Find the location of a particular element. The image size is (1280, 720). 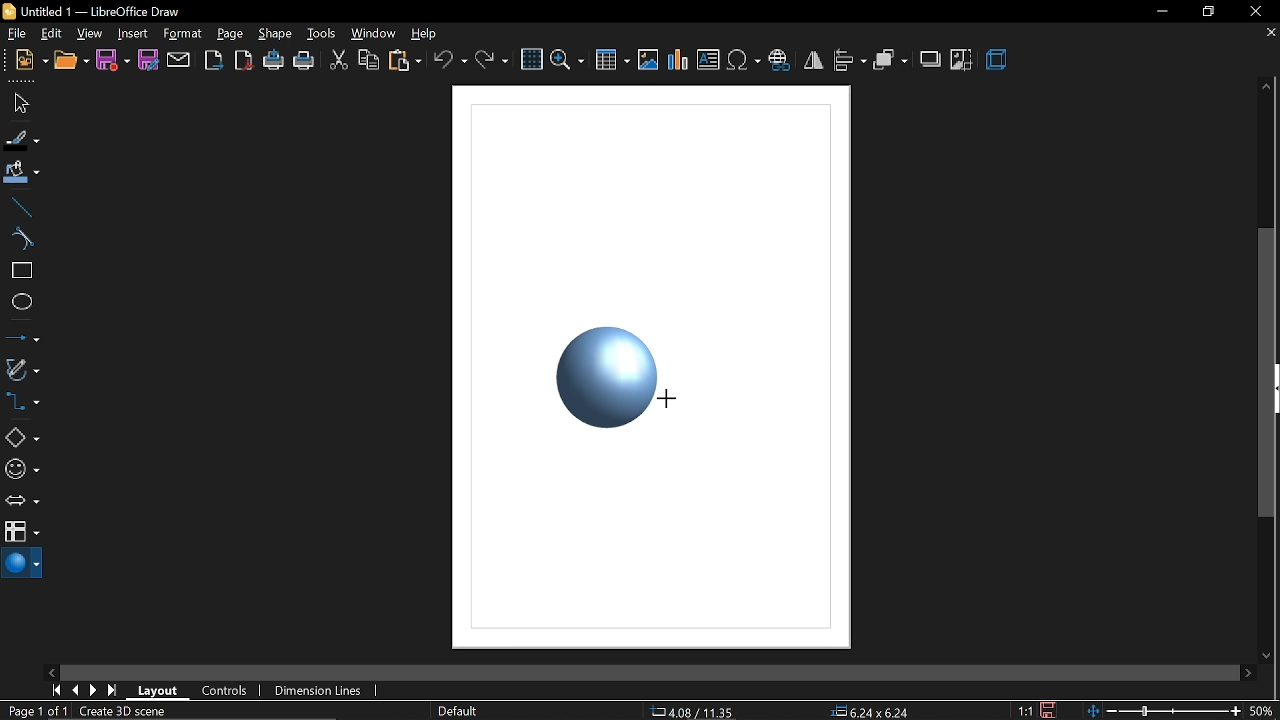

line is located at coordinates (20, 207).